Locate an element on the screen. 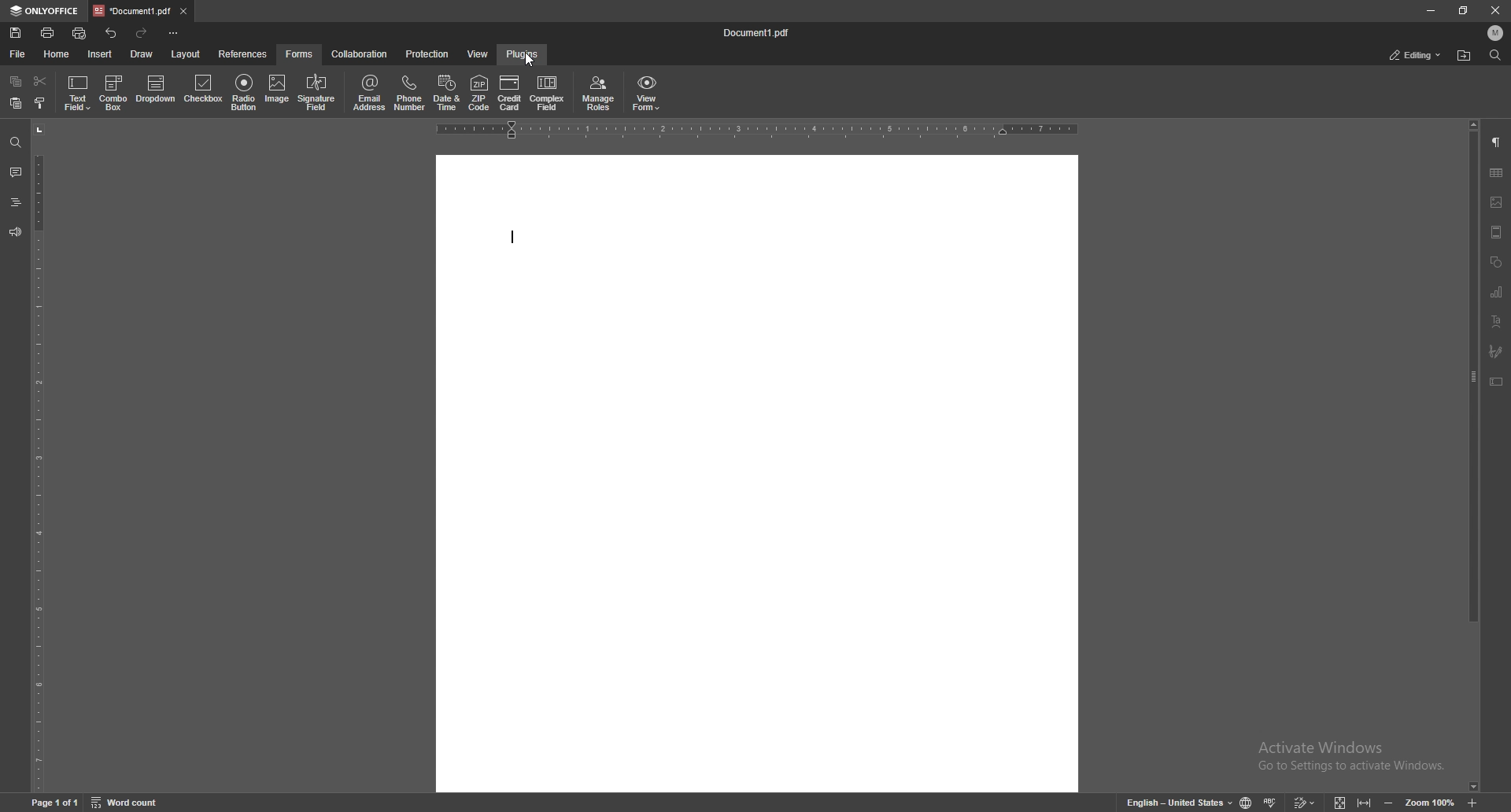 The image size is (1511, 812). scroll bar is located at coordinates (1472, 455).